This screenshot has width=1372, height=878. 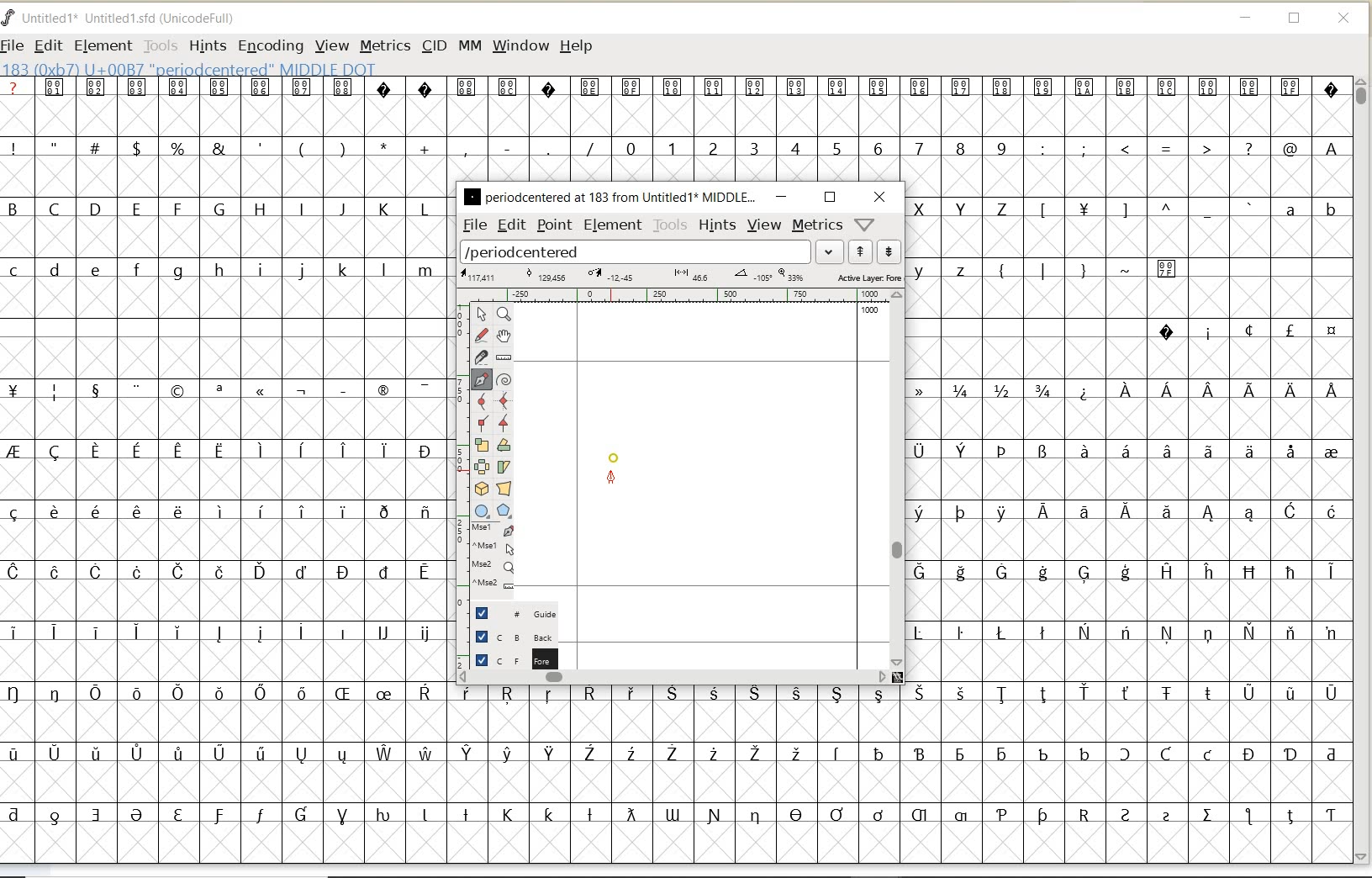 I want to click on SCROLLBAR, so click(x=1364, y=470).